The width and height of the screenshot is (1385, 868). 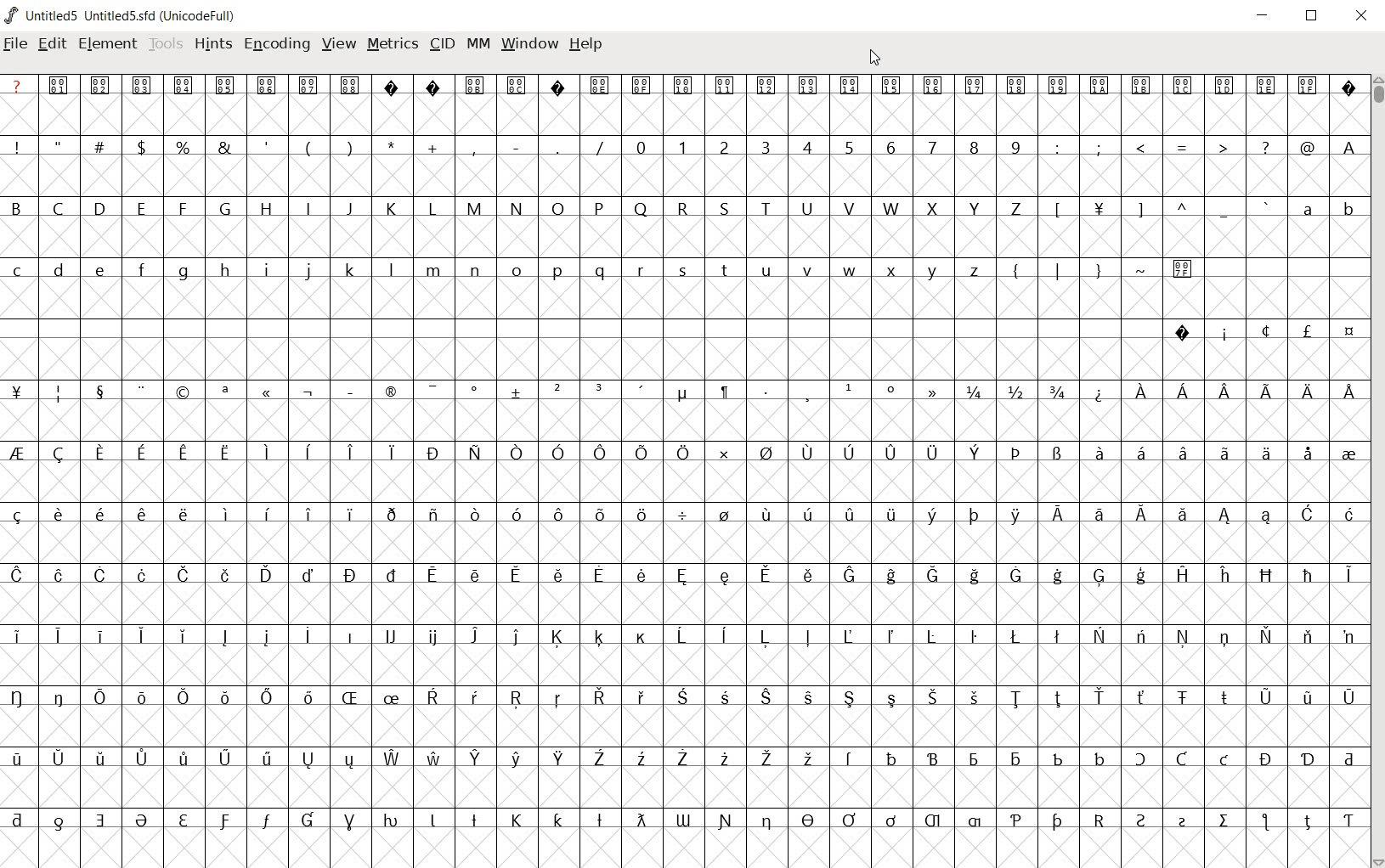 I want to click on Symbol, so click(x=59, y=392).